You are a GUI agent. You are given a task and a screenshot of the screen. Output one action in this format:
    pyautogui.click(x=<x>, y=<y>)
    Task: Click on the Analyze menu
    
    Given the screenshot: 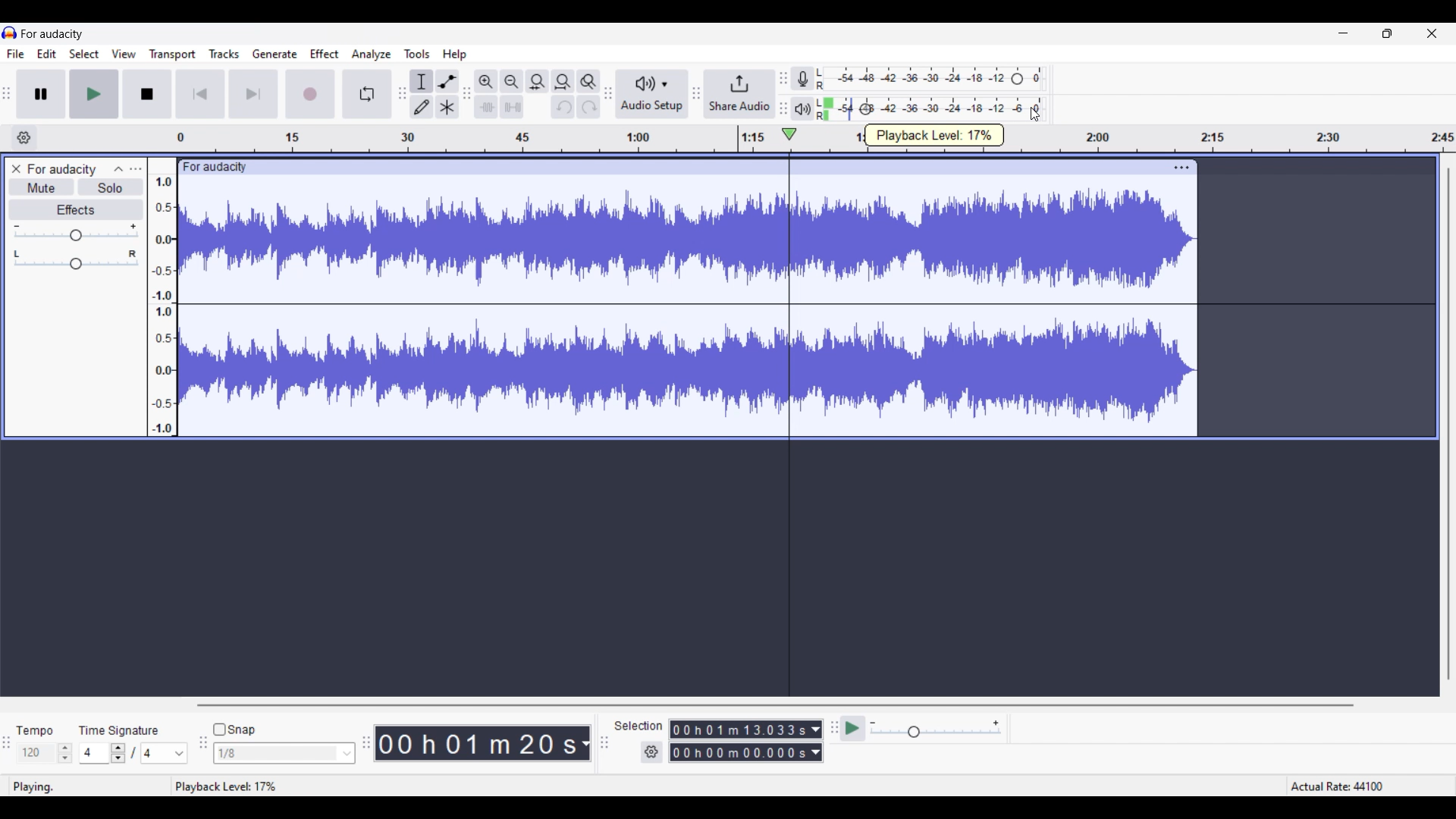 What is the action you would take?
    pyautogui.click(x=372, y=54)
    